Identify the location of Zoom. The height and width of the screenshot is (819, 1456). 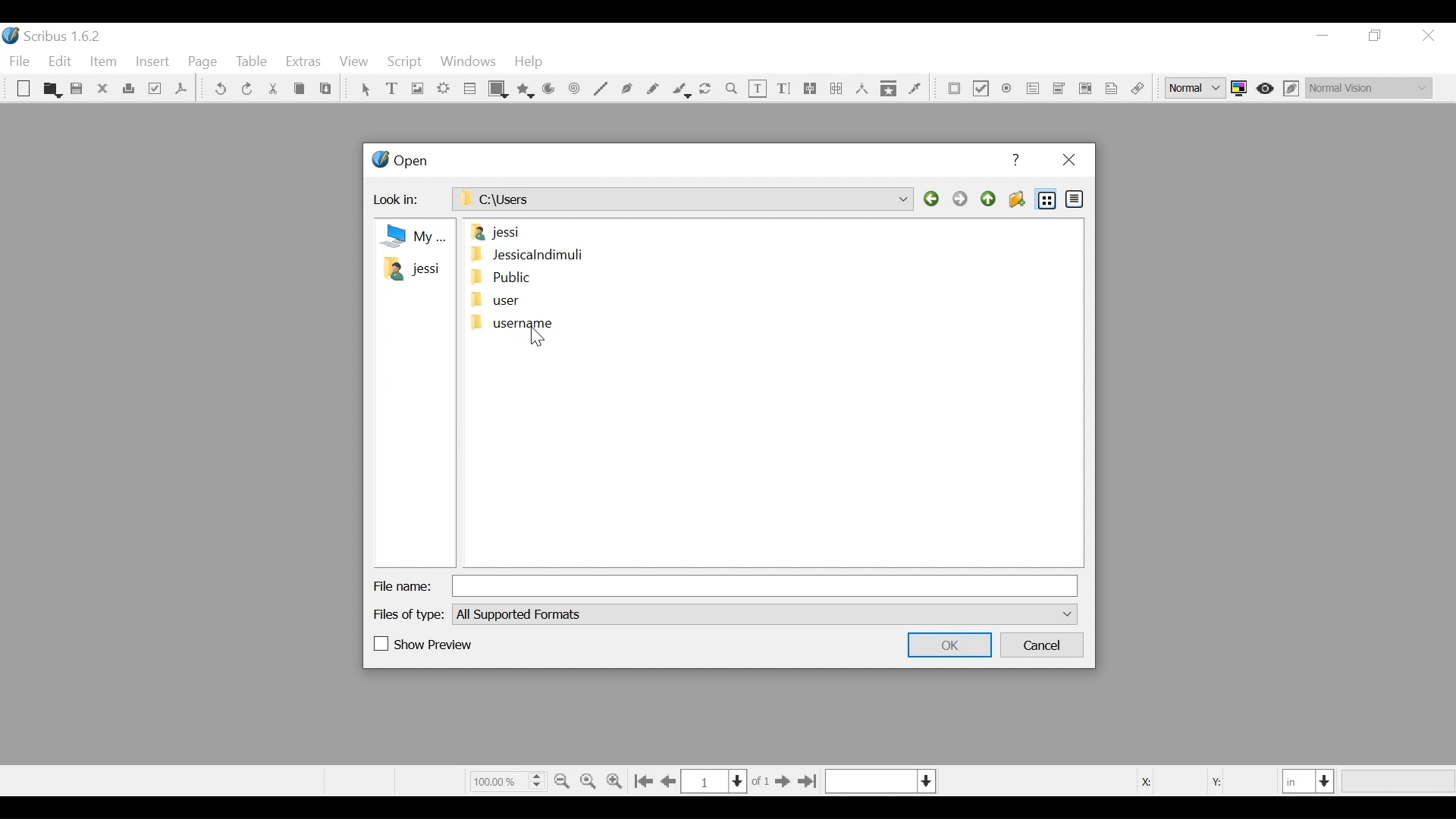
(732, 89).